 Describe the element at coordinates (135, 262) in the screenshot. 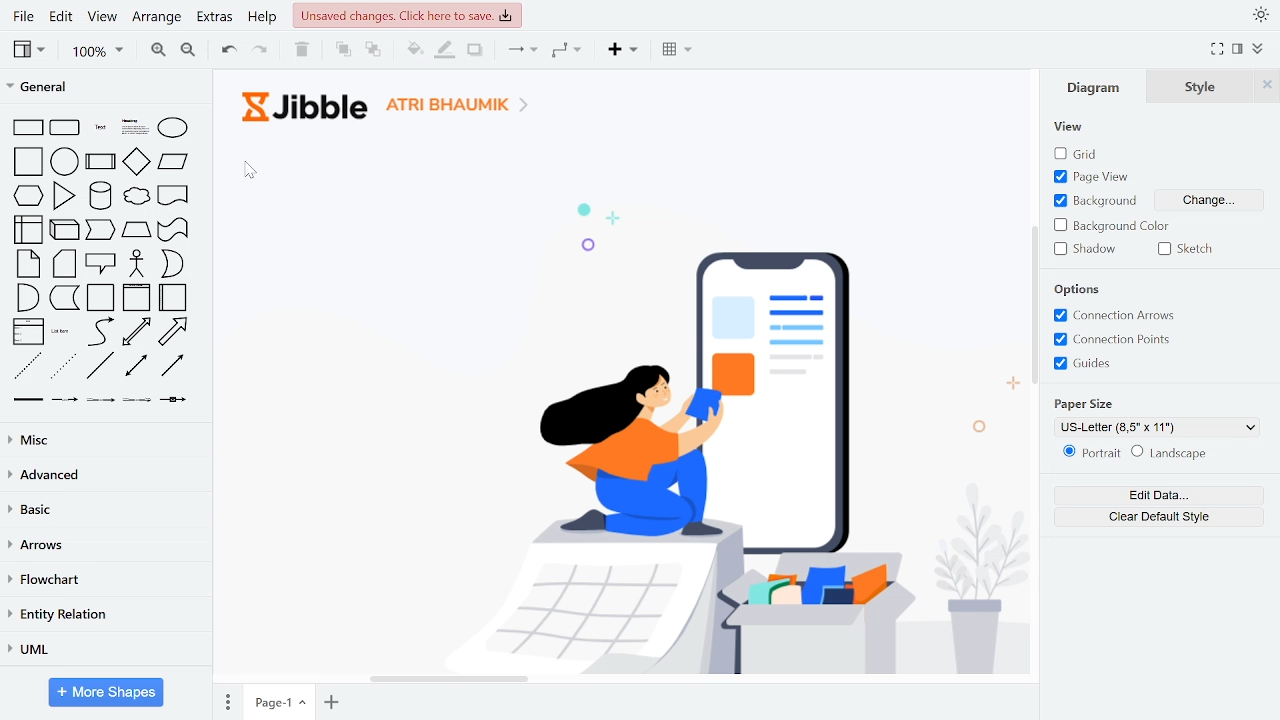

I see `general shapes` at that location.